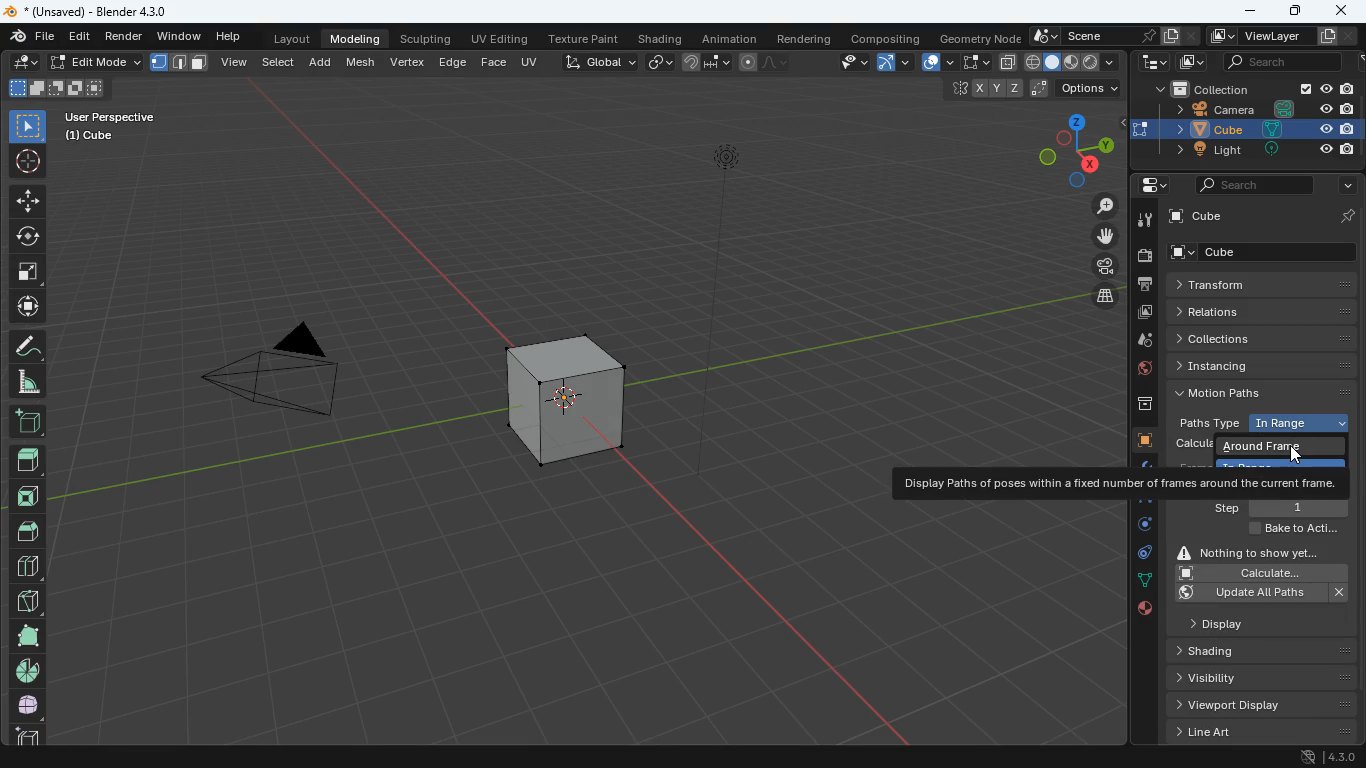 The image size is (1366, 768). What do you see at coordinates (1343, 13) in the screenshot?
I see `close` at bounding box center [1343, 13].